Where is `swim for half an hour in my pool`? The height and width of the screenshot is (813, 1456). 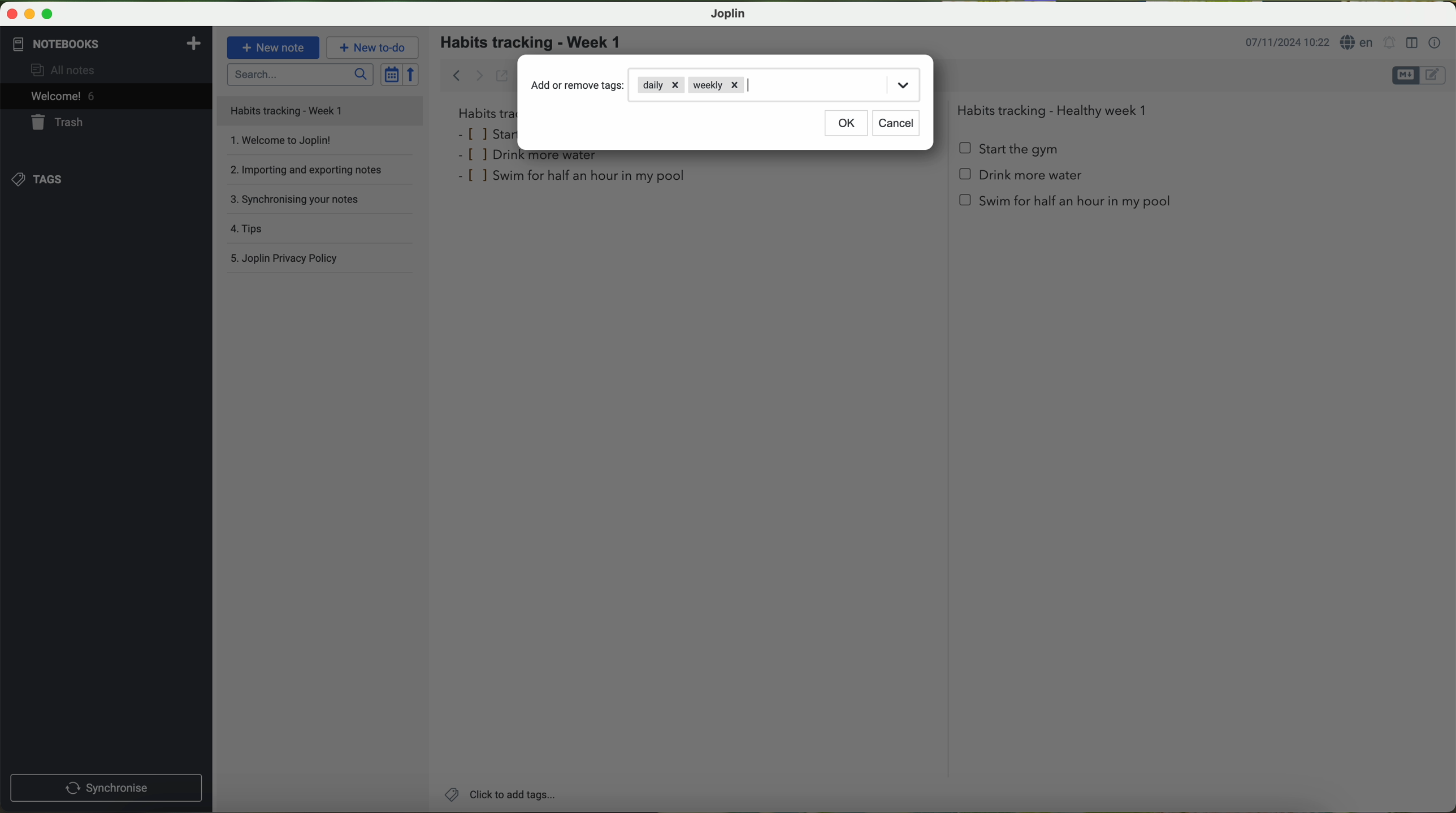 swim for half an hour in my pool is located at coordinates (574, 178).